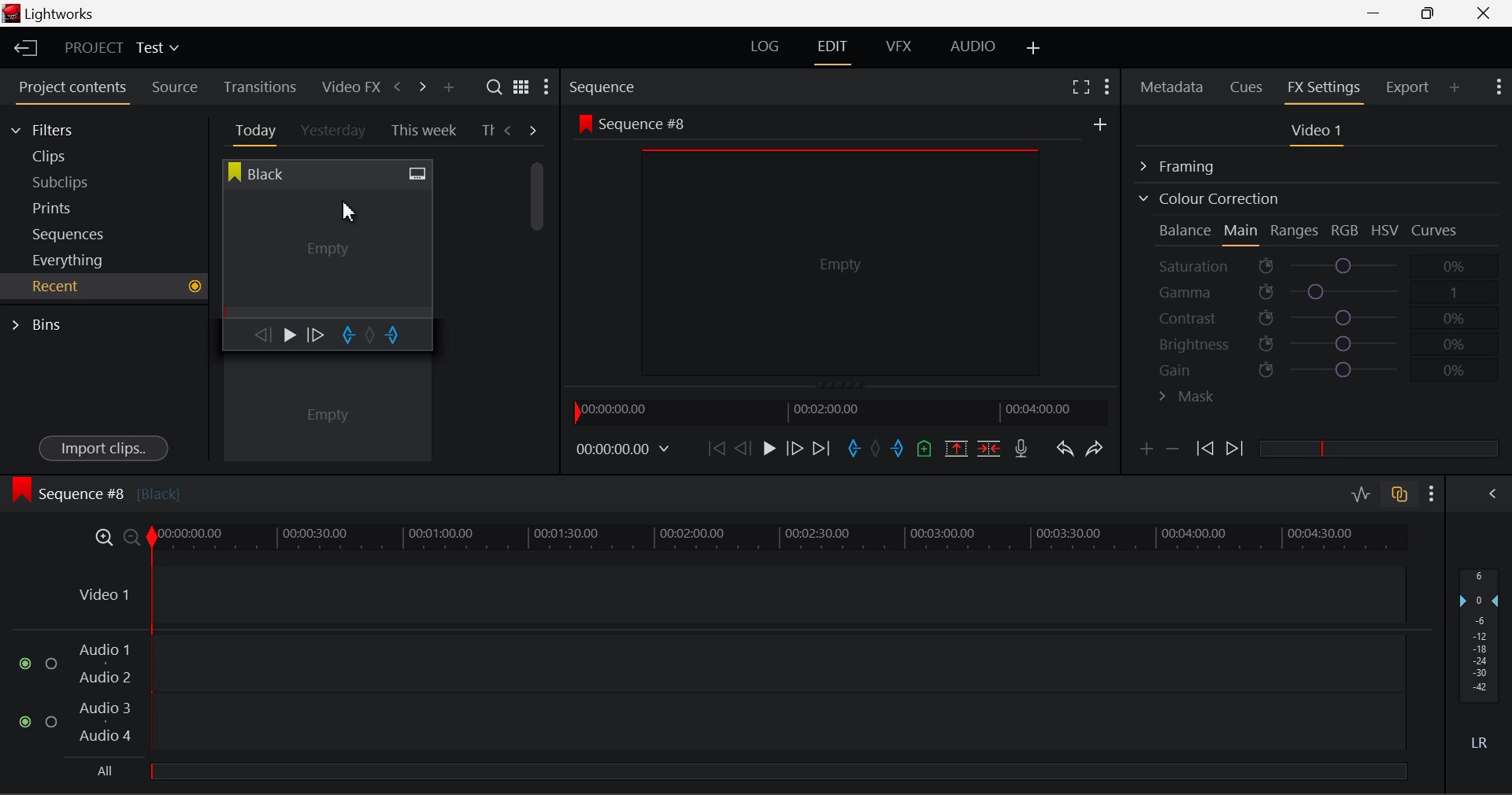 The height and width of the screenshot is (795, 1512). What do you see at coordinates (899, 449) in the screenshot?
I see `Mark Out` at bounding box center [899, 449].